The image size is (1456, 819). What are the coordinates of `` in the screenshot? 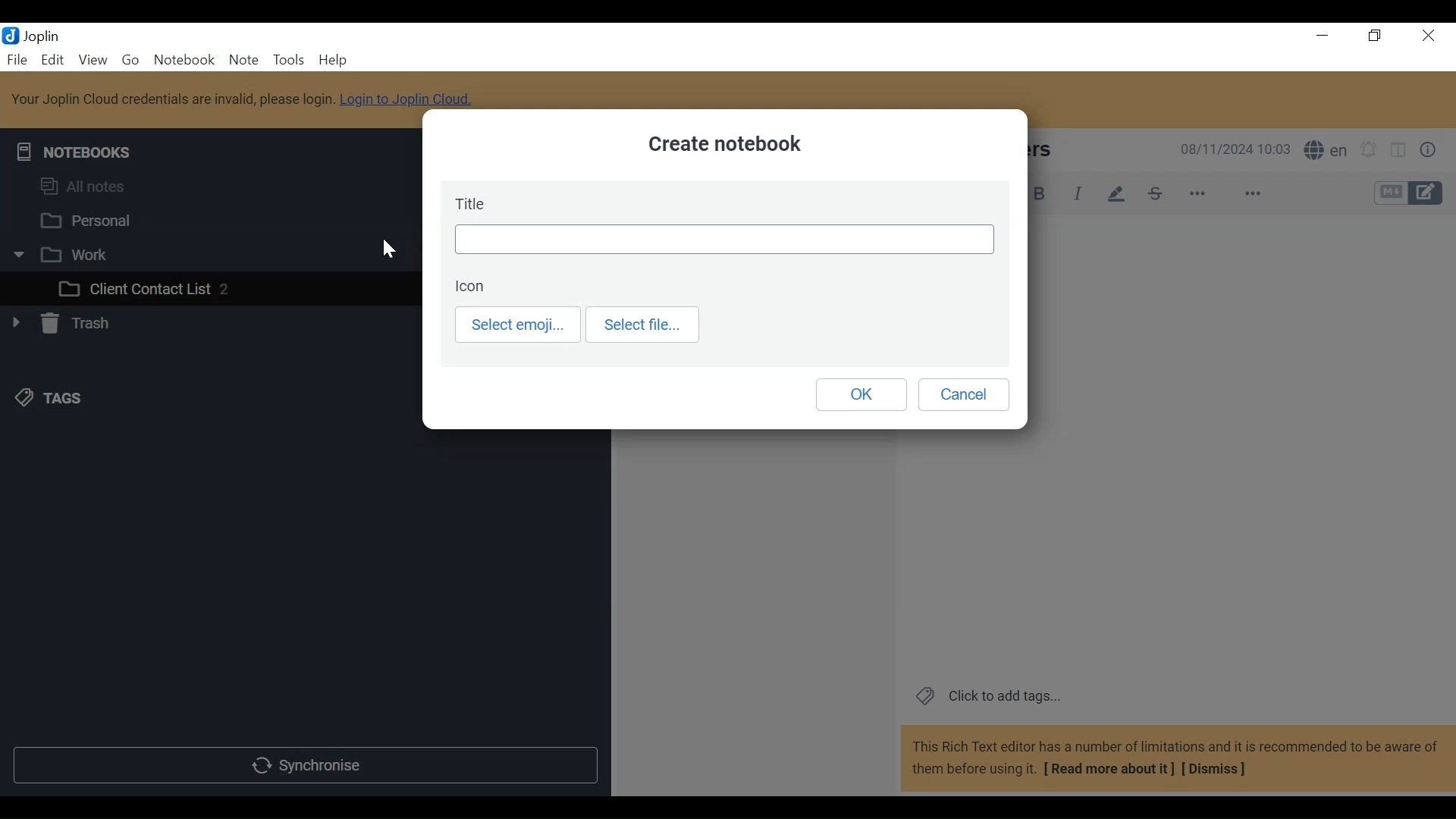 It's located at (1432, 149).